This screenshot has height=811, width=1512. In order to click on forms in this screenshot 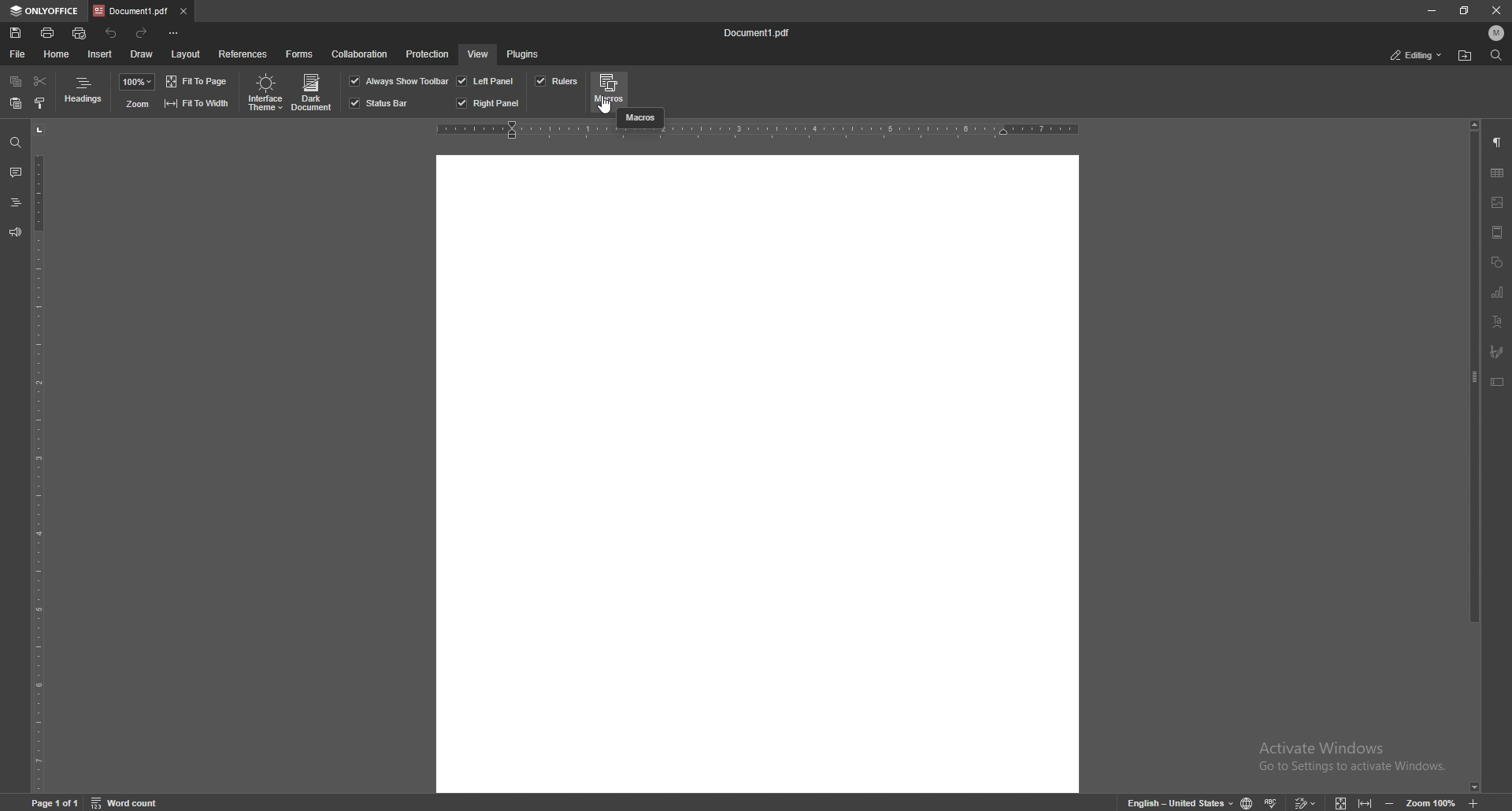, I will do `click(301, 53)`.